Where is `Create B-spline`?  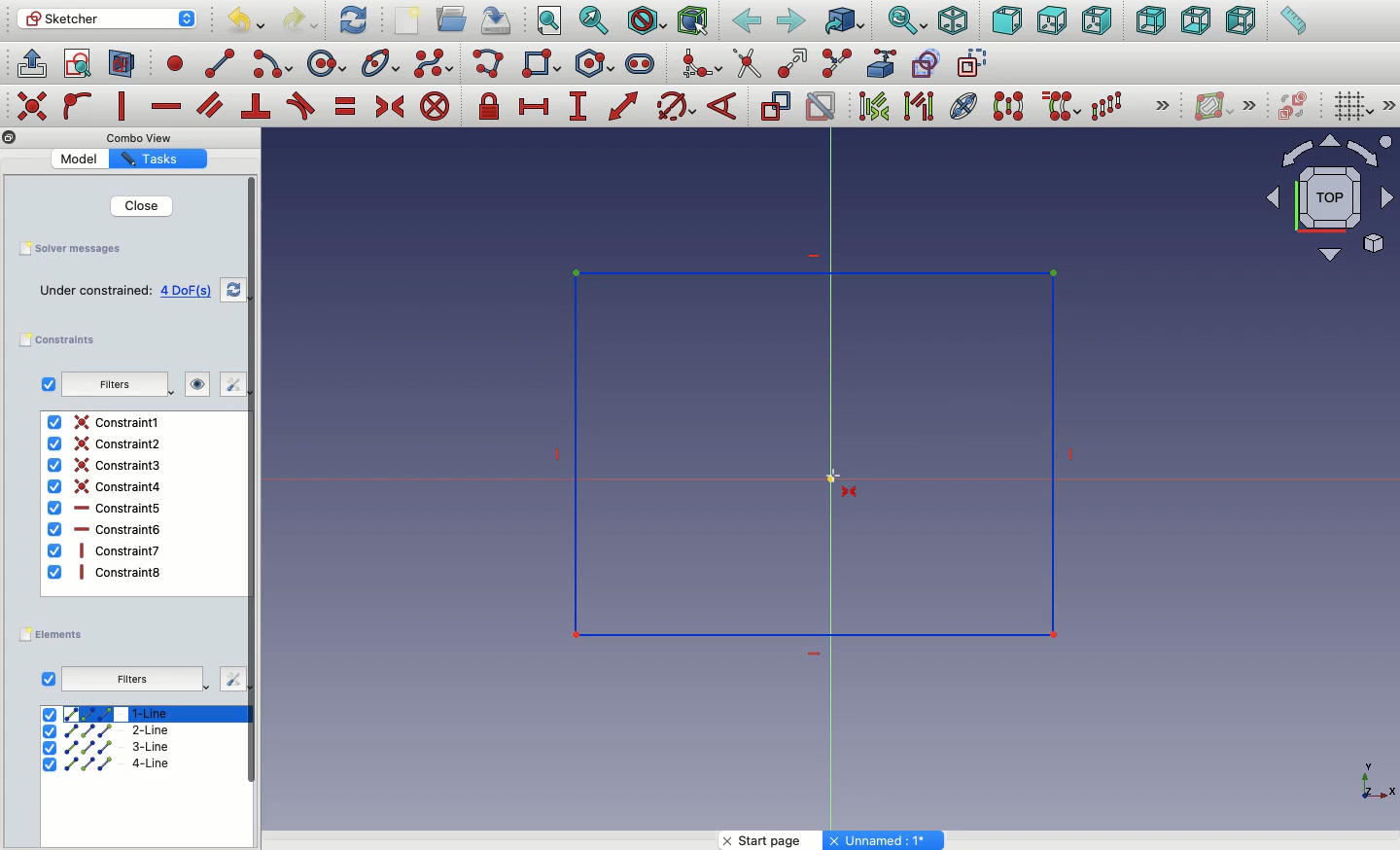 Create B-spline is located at coordinates (434, 62).